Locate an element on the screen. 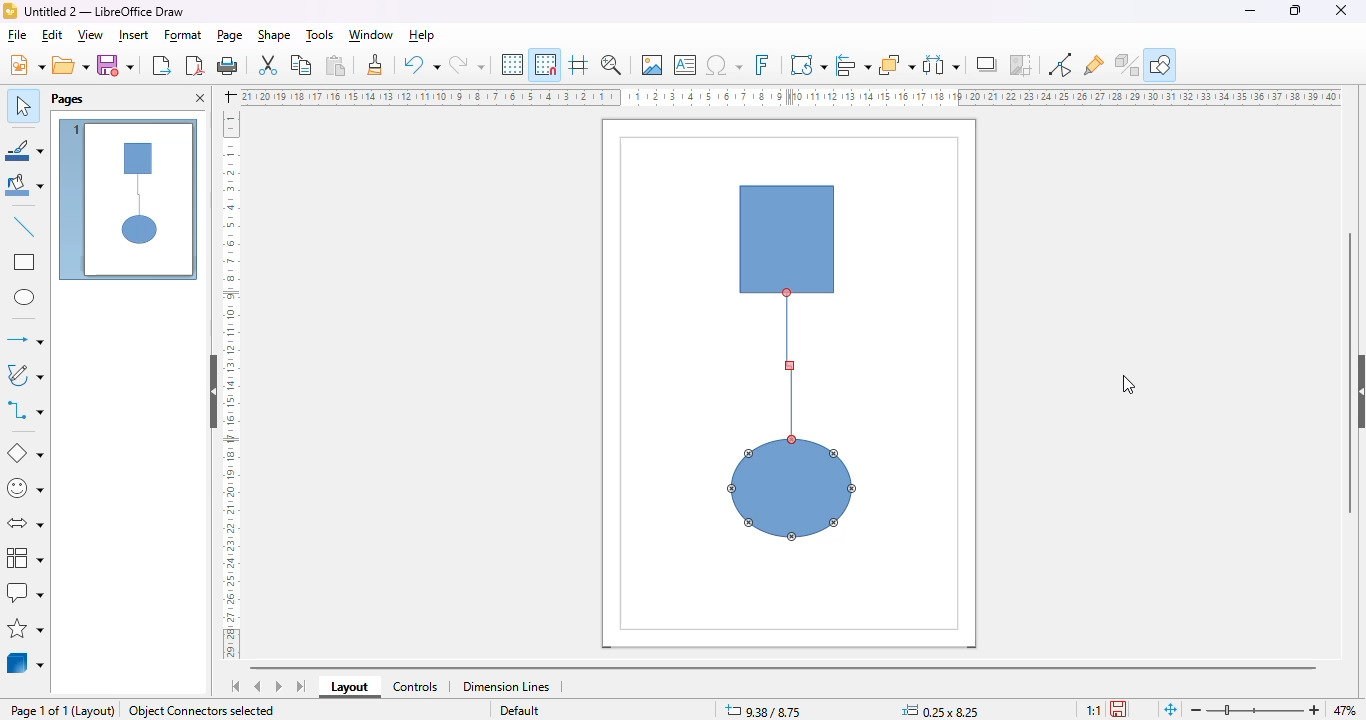 This screenshot has height=720, width=1366. logo is located at coordinates (10, 11).